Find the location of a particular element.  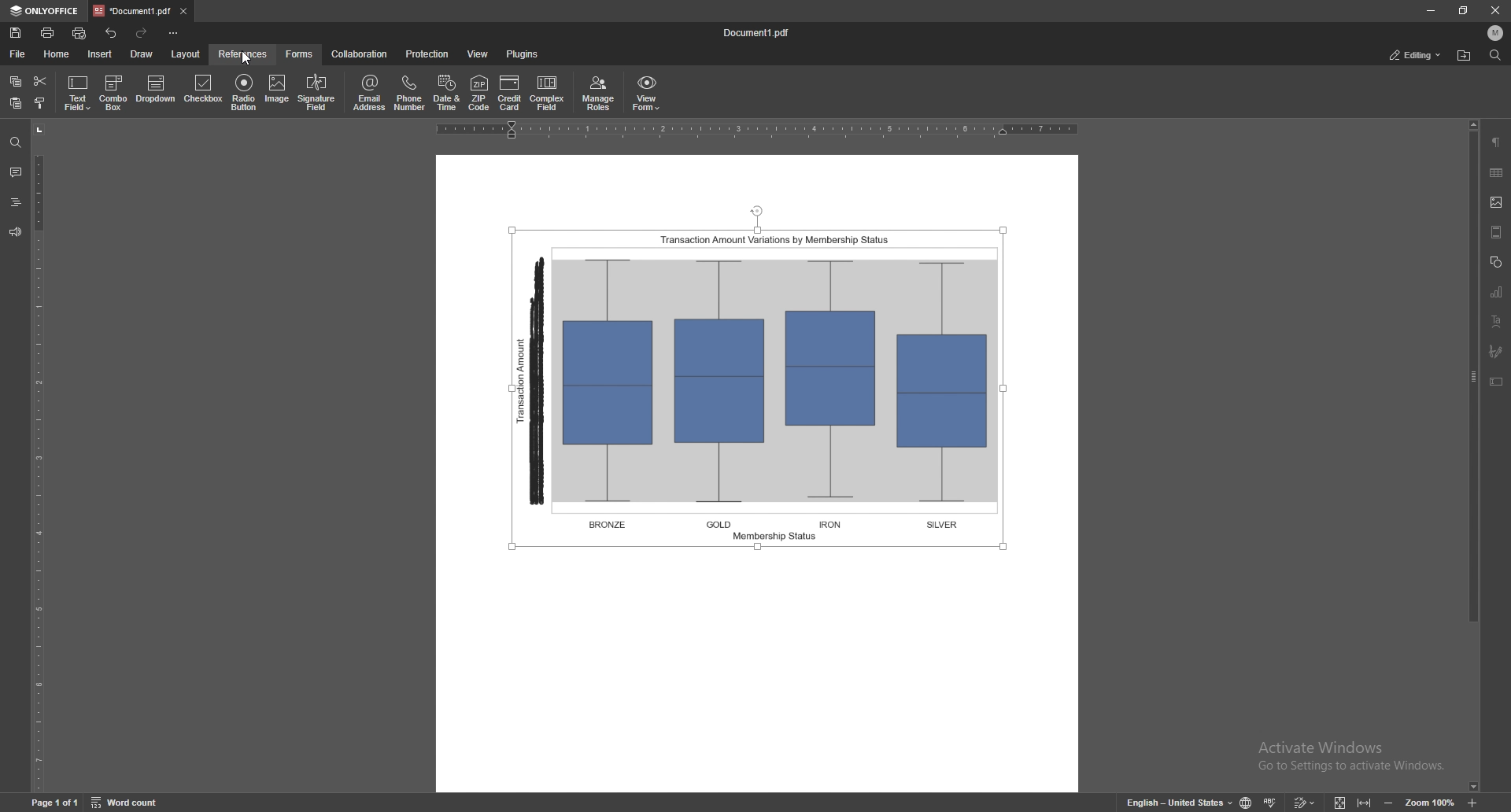

copy style is located at coordinates (40, 103).